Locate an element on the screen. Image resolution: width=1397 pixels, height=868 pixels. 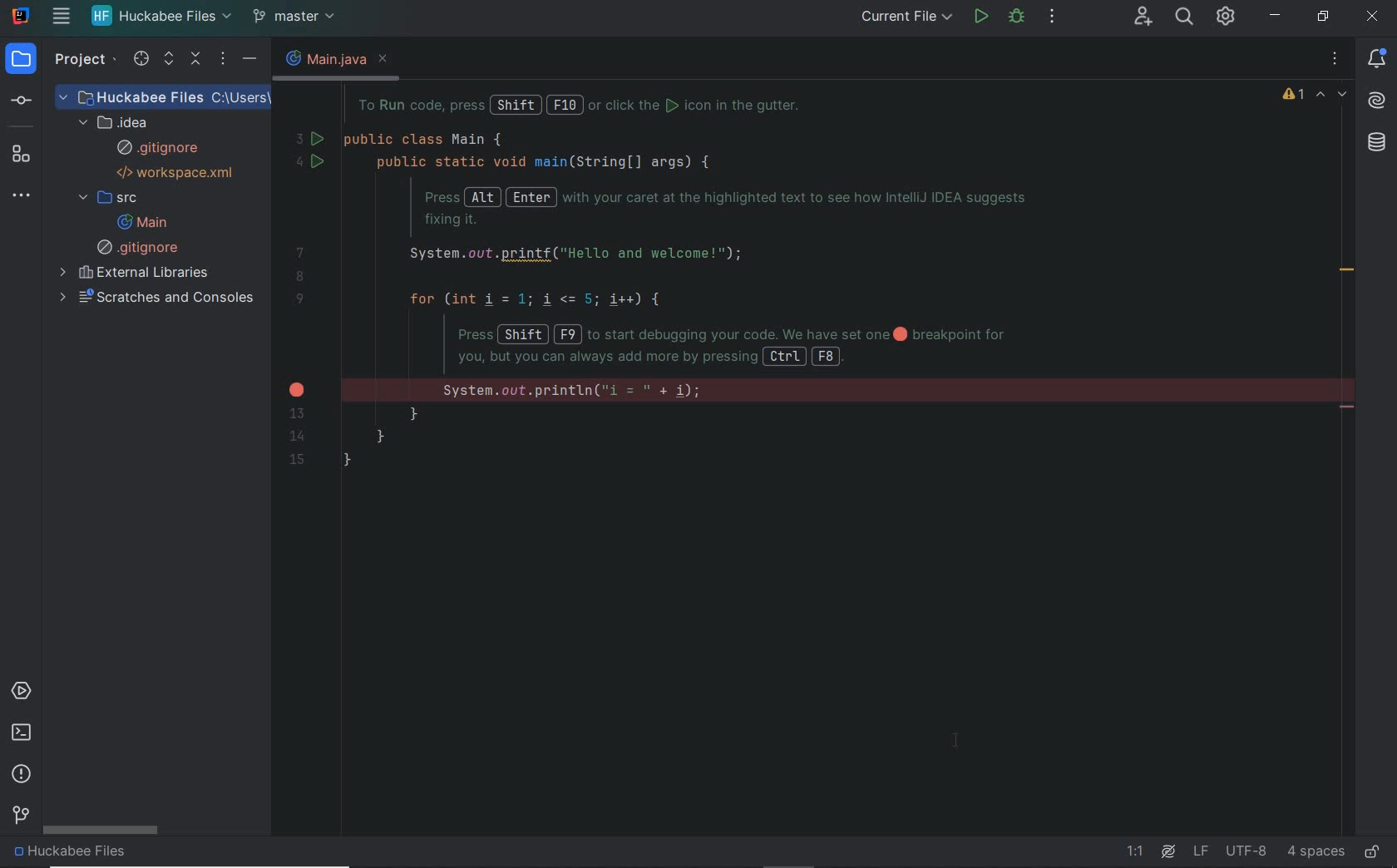
problems is located at coordinates (22, 774).